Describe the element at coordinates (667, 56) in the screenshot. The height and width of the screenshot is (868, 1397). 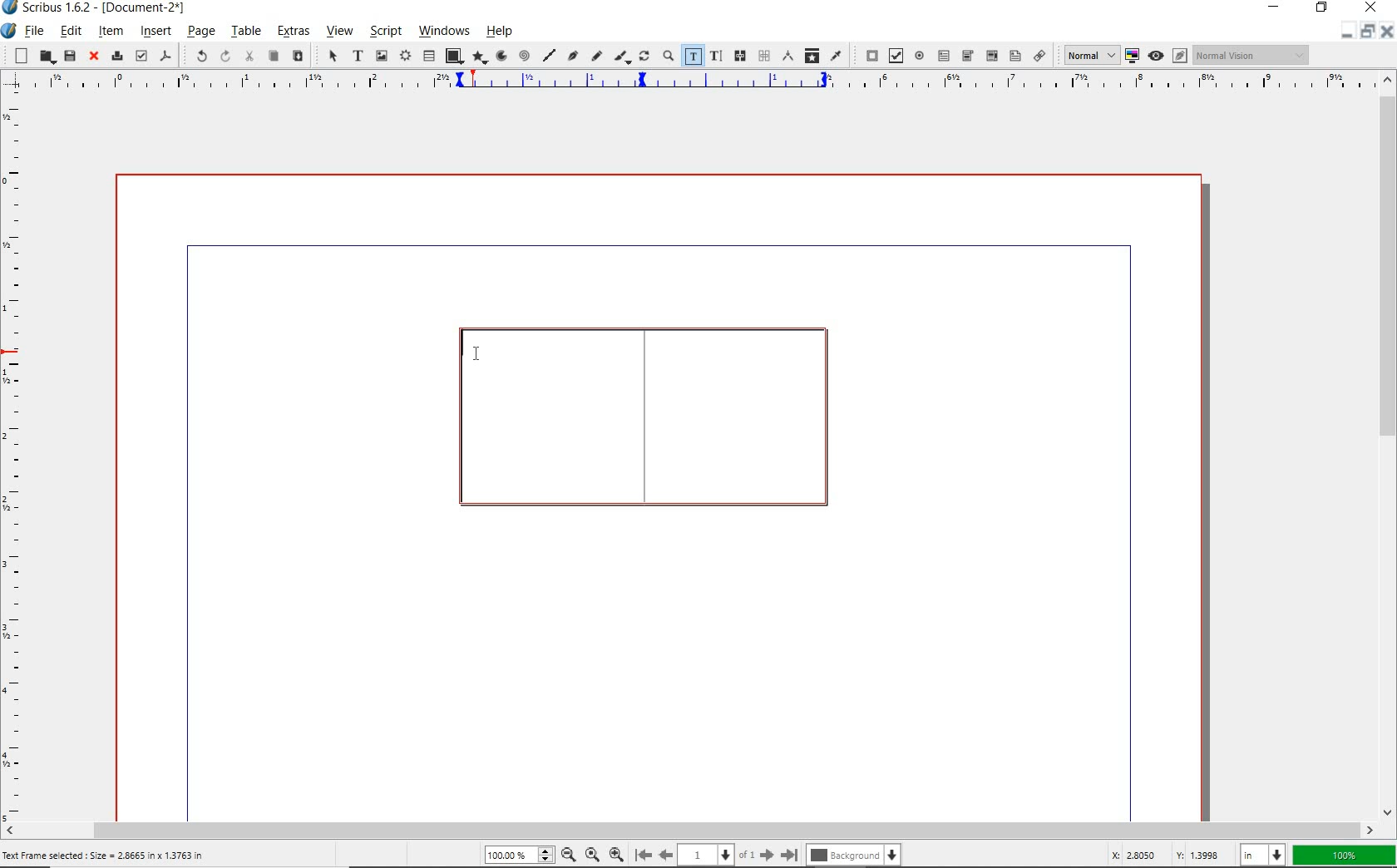
I see `zoom in or zoom out` at that location.